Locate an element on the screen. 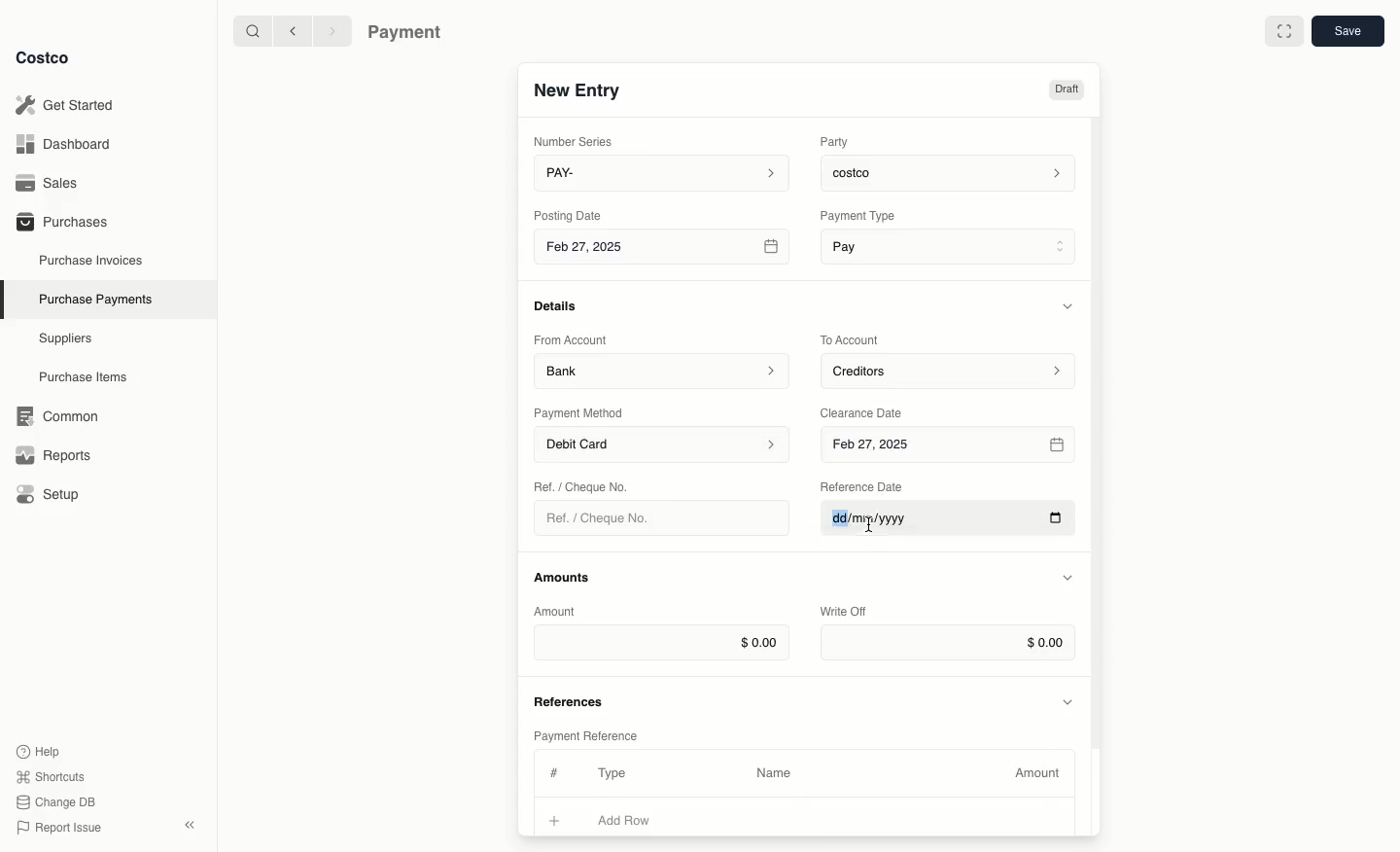  Payment Method is located at coordinates (580, 412).